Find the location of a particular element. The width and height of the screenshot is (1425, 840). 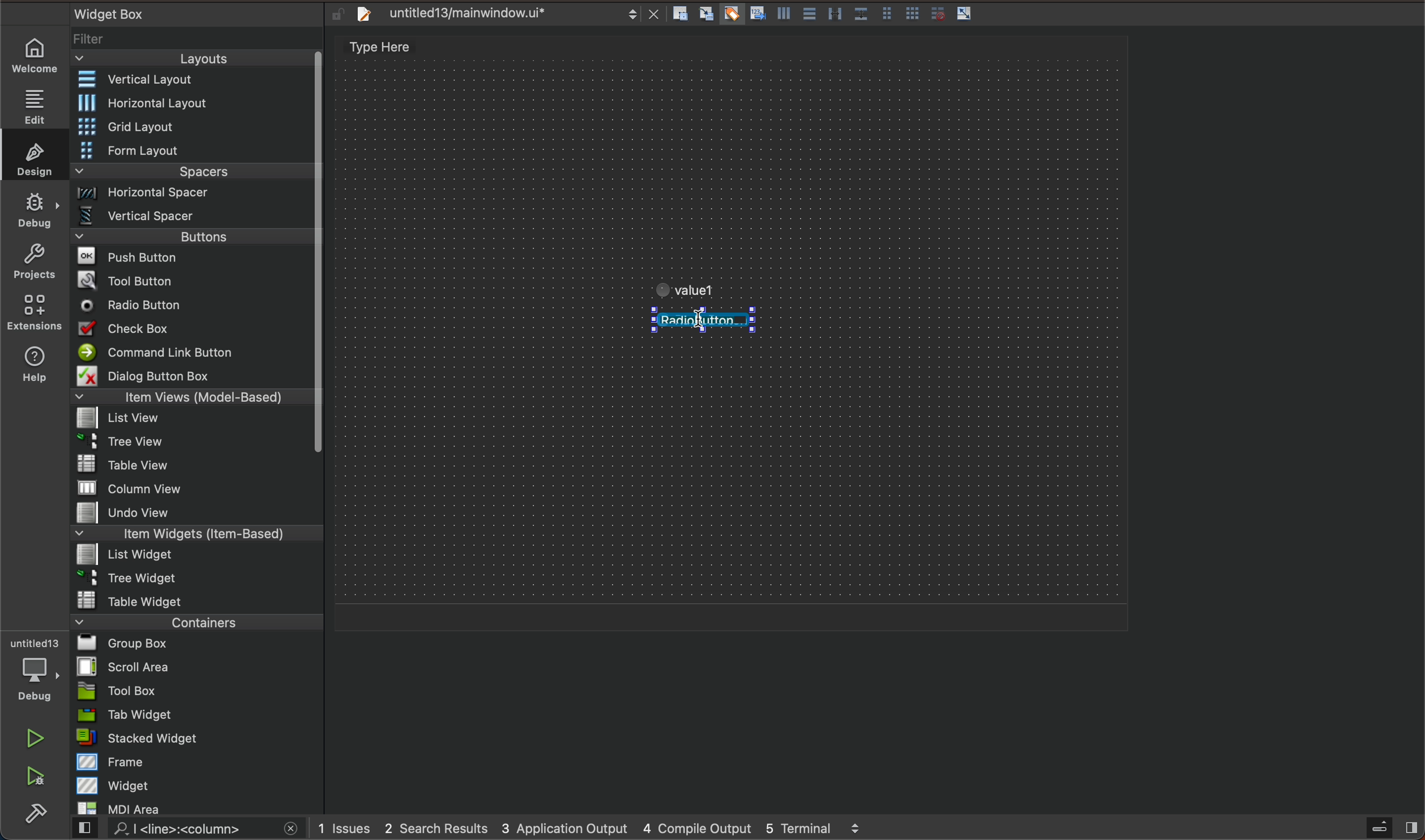

widget is located at coordinates (199, 785).